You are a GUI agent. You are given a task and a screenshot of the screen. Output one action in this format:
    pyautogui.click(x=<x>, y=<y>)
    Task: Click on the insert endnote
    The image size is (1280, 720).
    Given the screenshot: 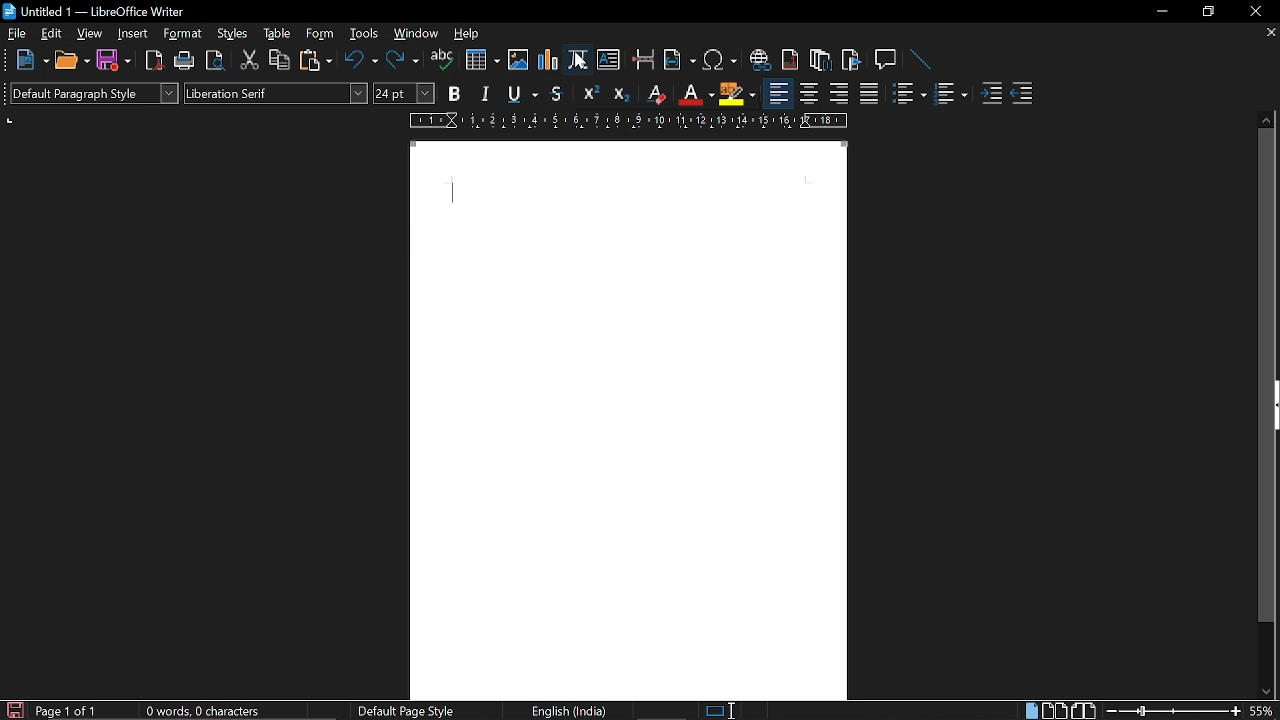 What is the action you would take?
    pyautogui.click(x=822, y=60)
    